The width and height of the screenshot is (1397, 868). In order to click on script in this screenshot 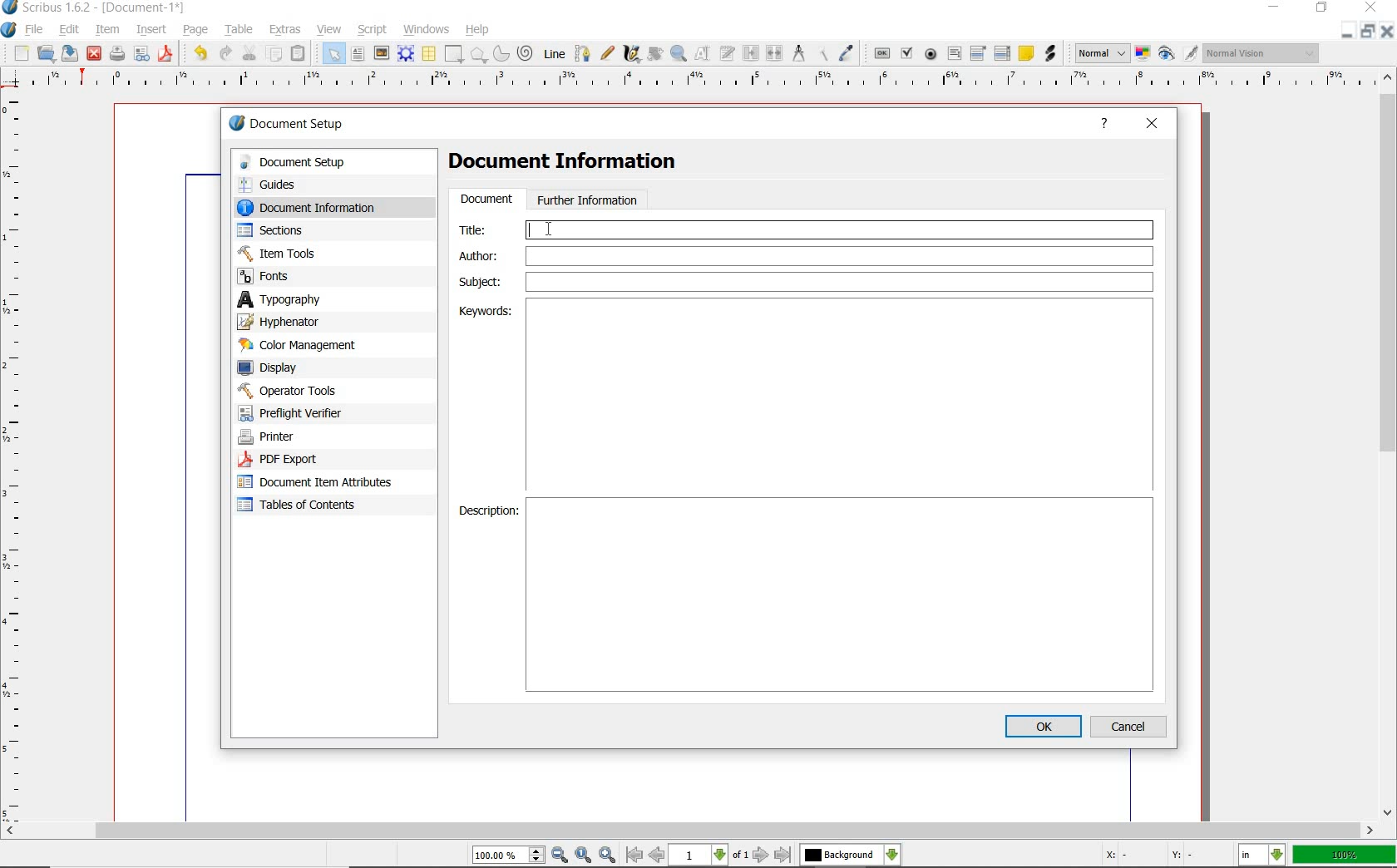, I will do `click(373, 30)`.